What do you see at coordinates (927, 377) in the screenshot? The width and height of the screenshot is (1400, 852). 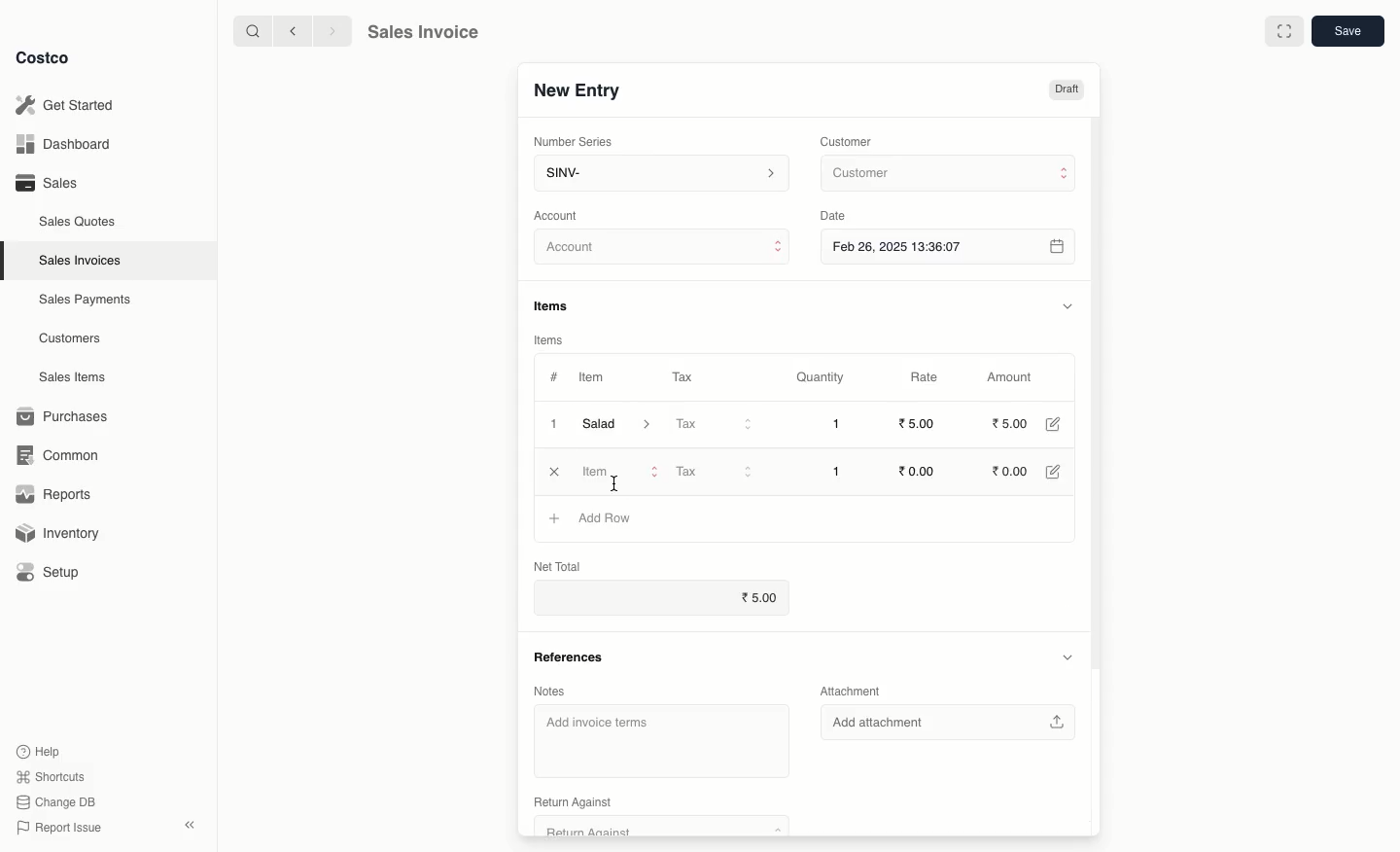 I see `Rate` at bounding box center [927, 377].